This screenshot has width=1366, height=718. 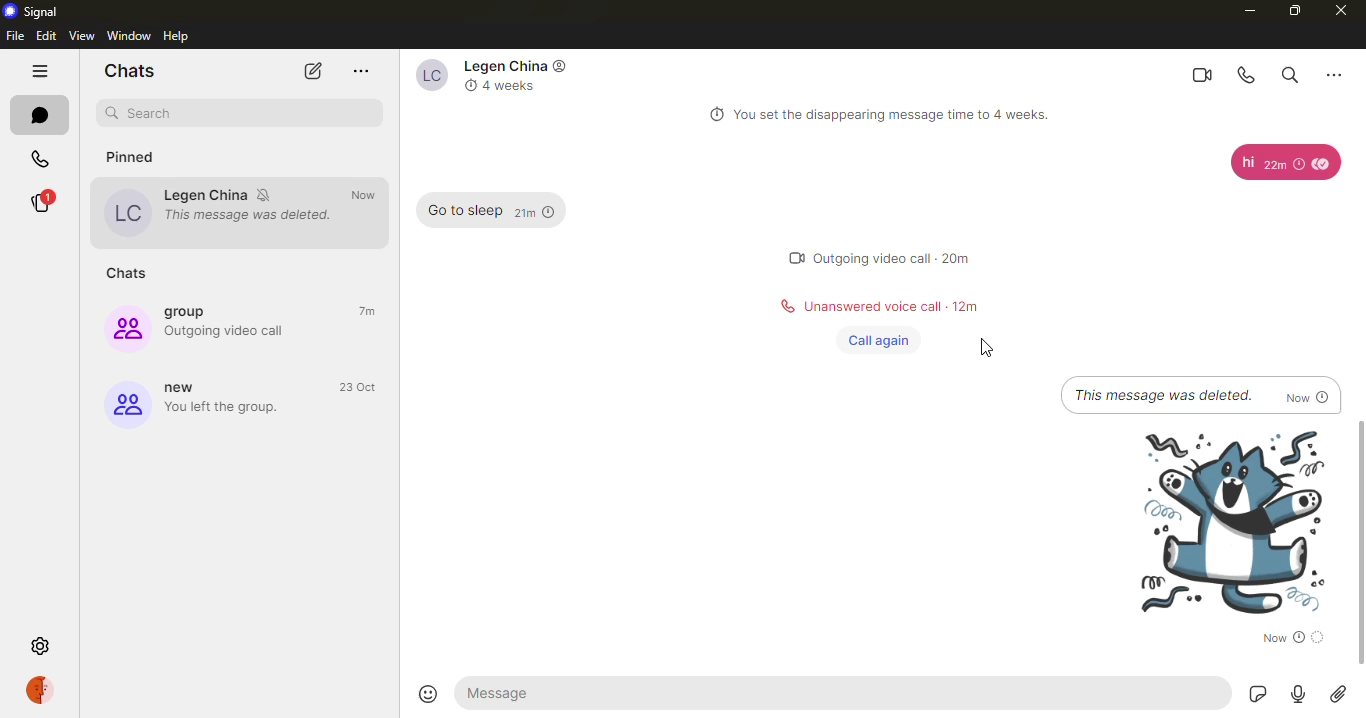 I want to click on voice call, so click(x=1246, y=75).